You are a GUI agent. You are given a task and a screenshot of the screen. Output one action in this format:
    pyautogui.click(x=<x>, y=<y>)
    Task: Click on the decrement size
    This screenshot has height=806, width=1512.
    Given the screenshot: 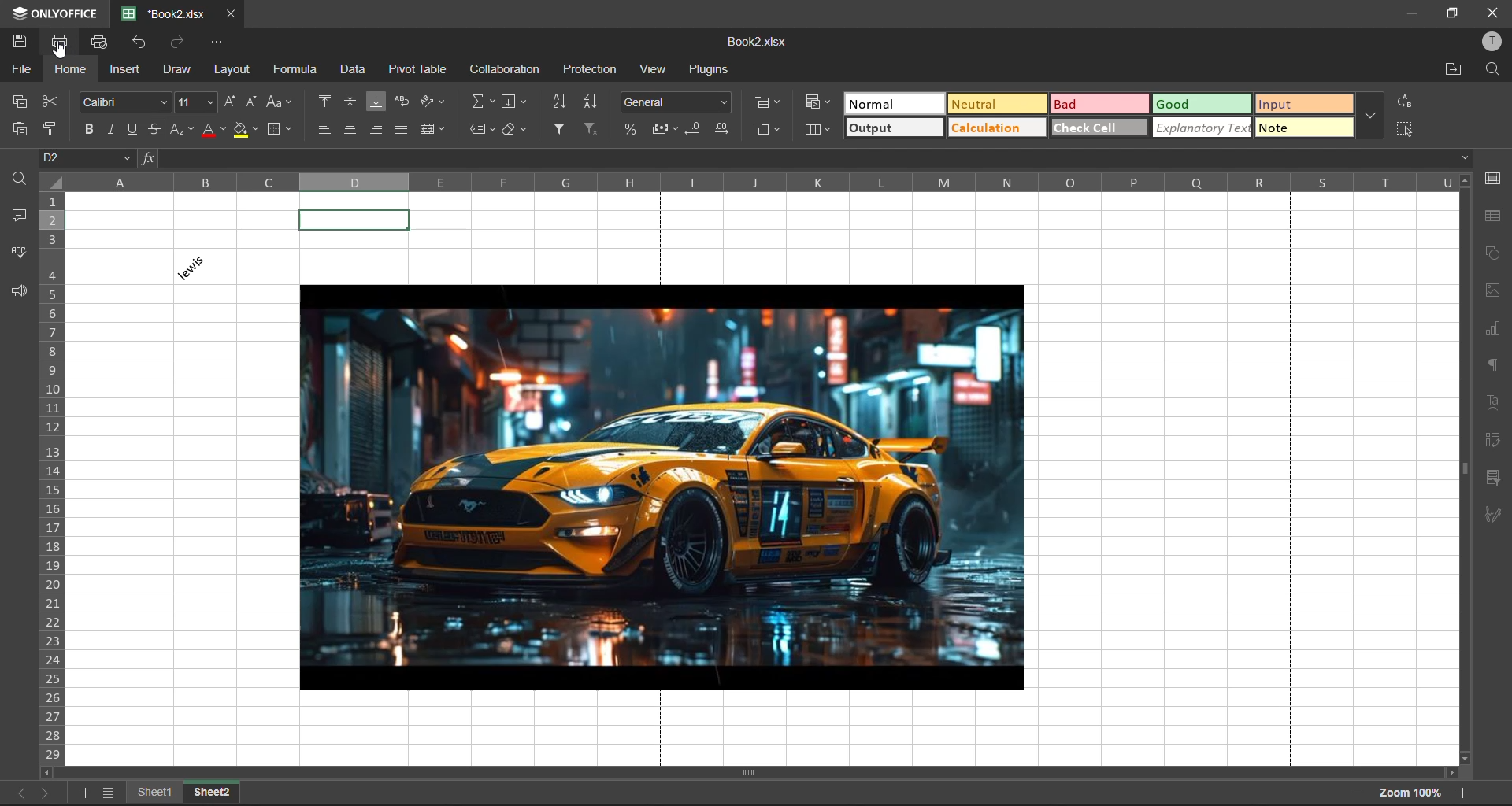 What is the action you would take?
    pyautogui.click(x=249, y=102)
    